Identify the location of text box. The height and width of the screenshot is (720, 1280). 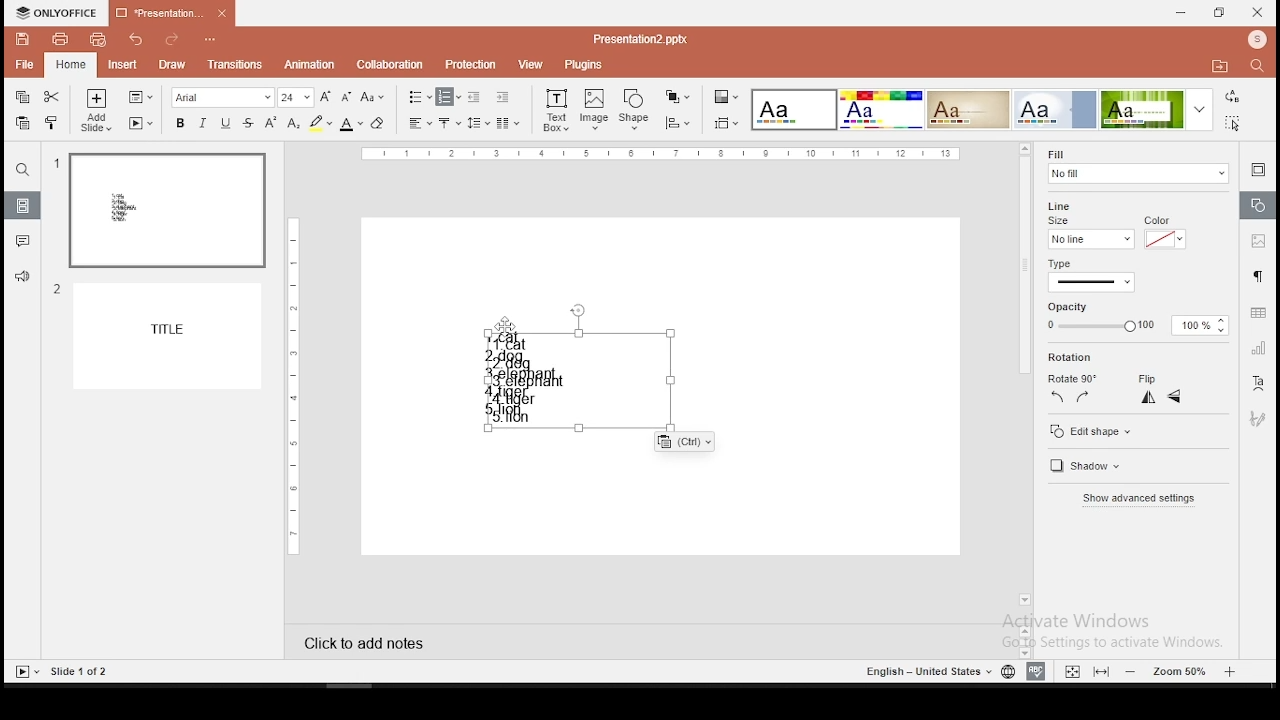
(555, 111).